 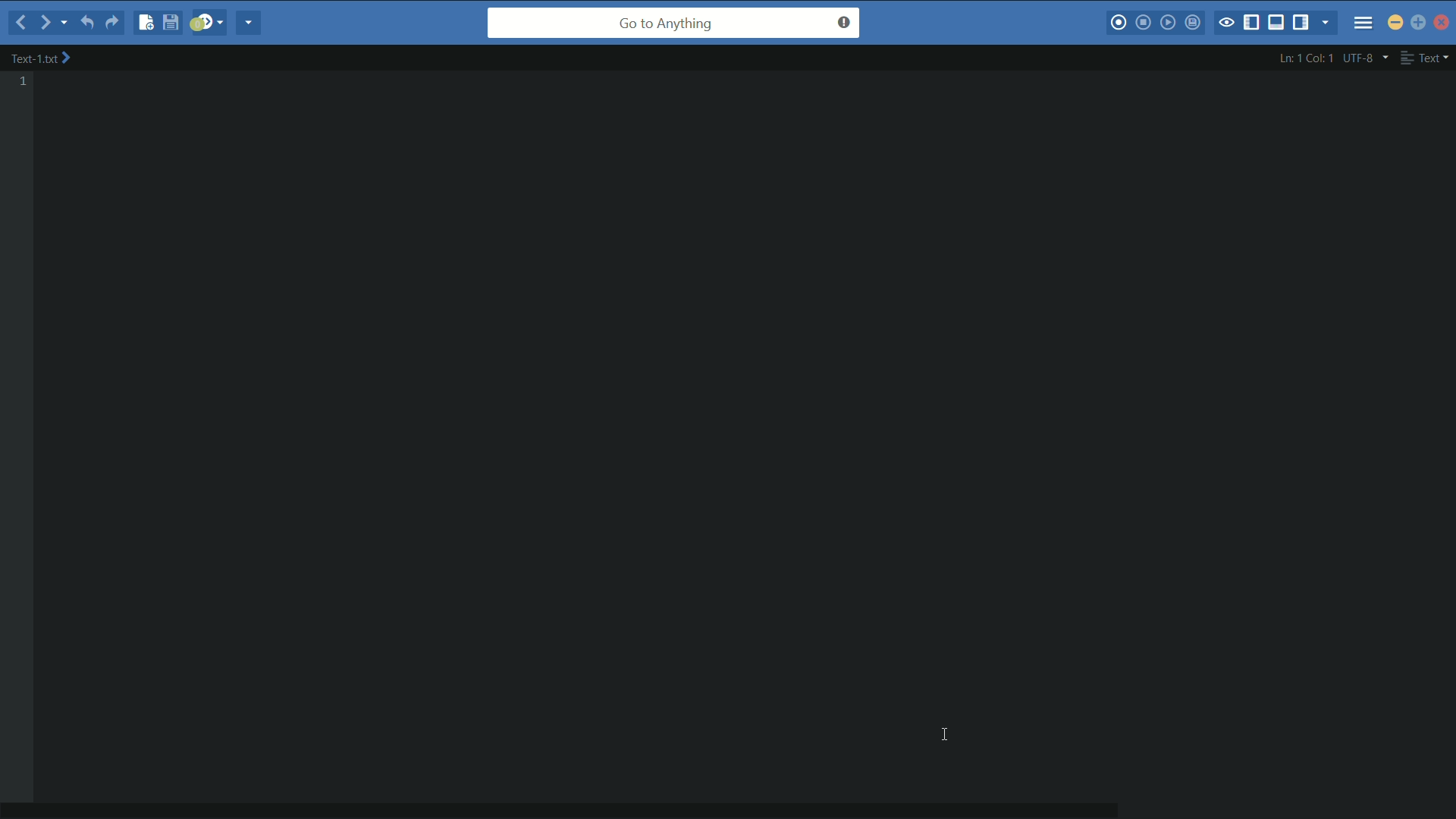 I want to click on jump to next syntax checking result, so click(x=206, y=20).